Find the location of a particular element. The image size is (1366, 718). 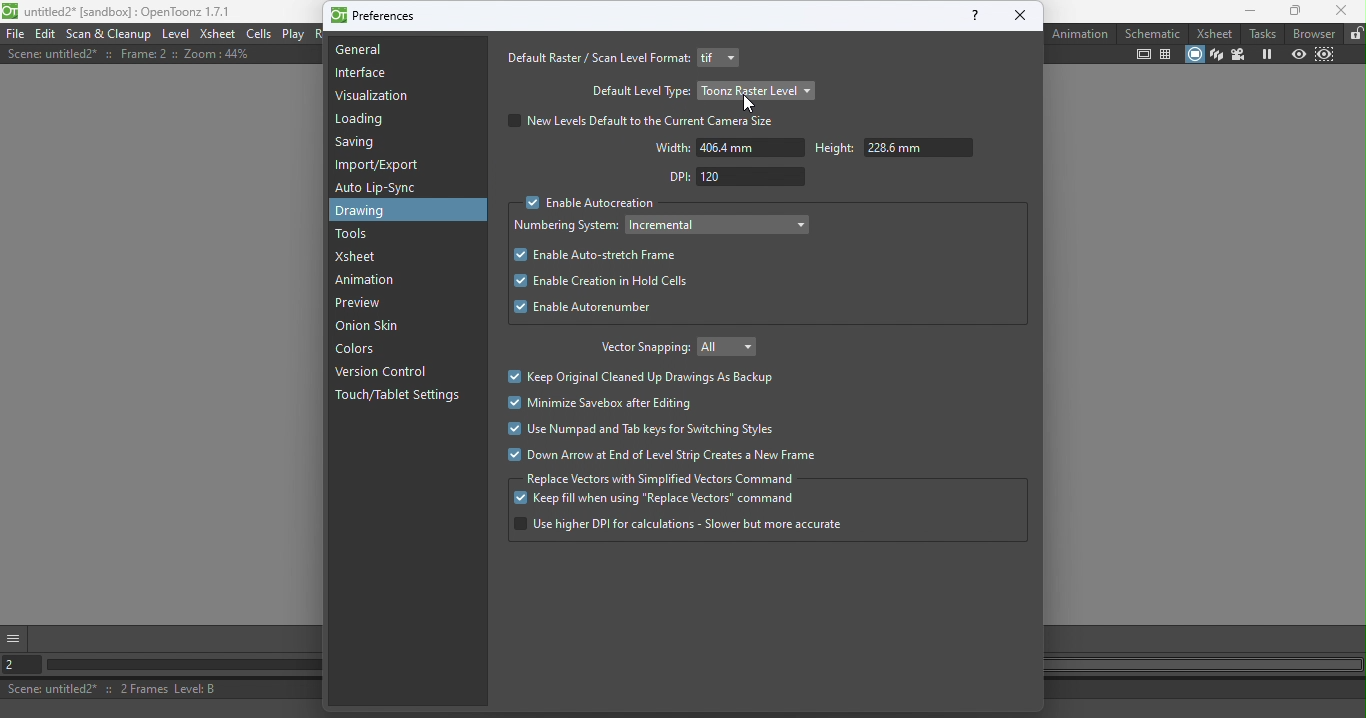

Saving is located at coordinates (361, 146).